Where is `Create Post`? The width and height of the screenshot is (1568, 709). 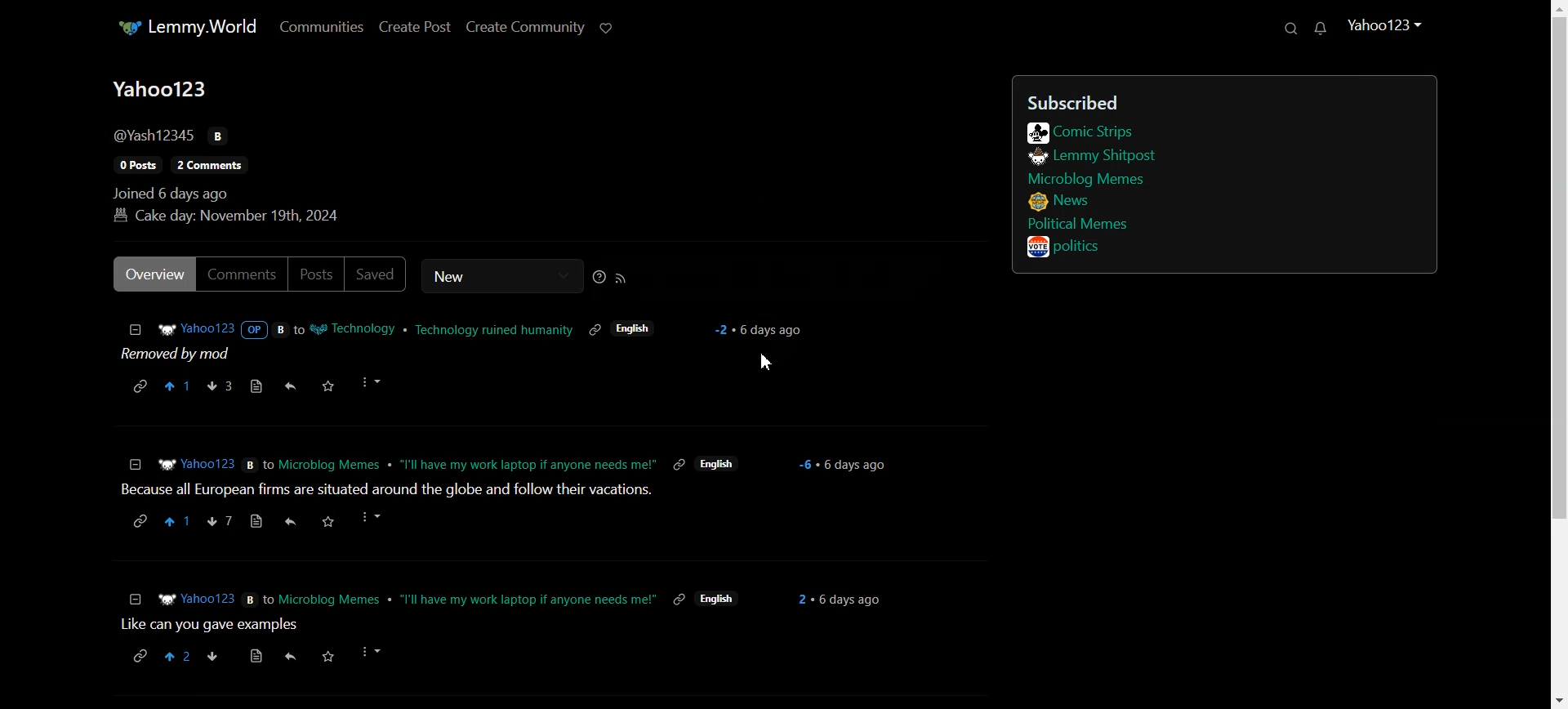 Create Post is located at coordinates (416, 27).